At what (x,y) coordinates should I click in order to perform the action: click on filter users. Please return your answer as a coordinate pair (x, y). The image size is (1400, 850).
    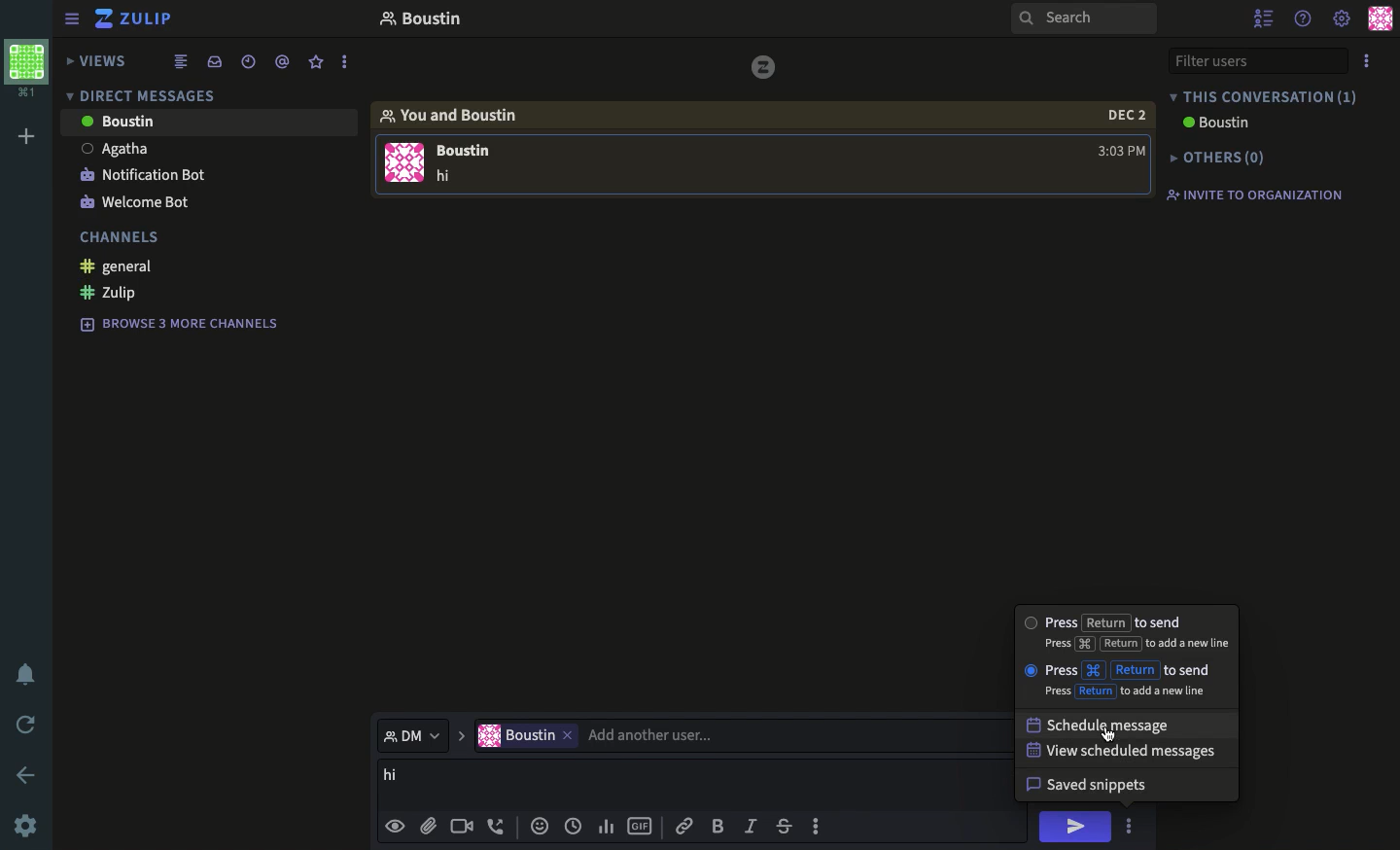
    Looking at the image, I should click on (1259, 61).